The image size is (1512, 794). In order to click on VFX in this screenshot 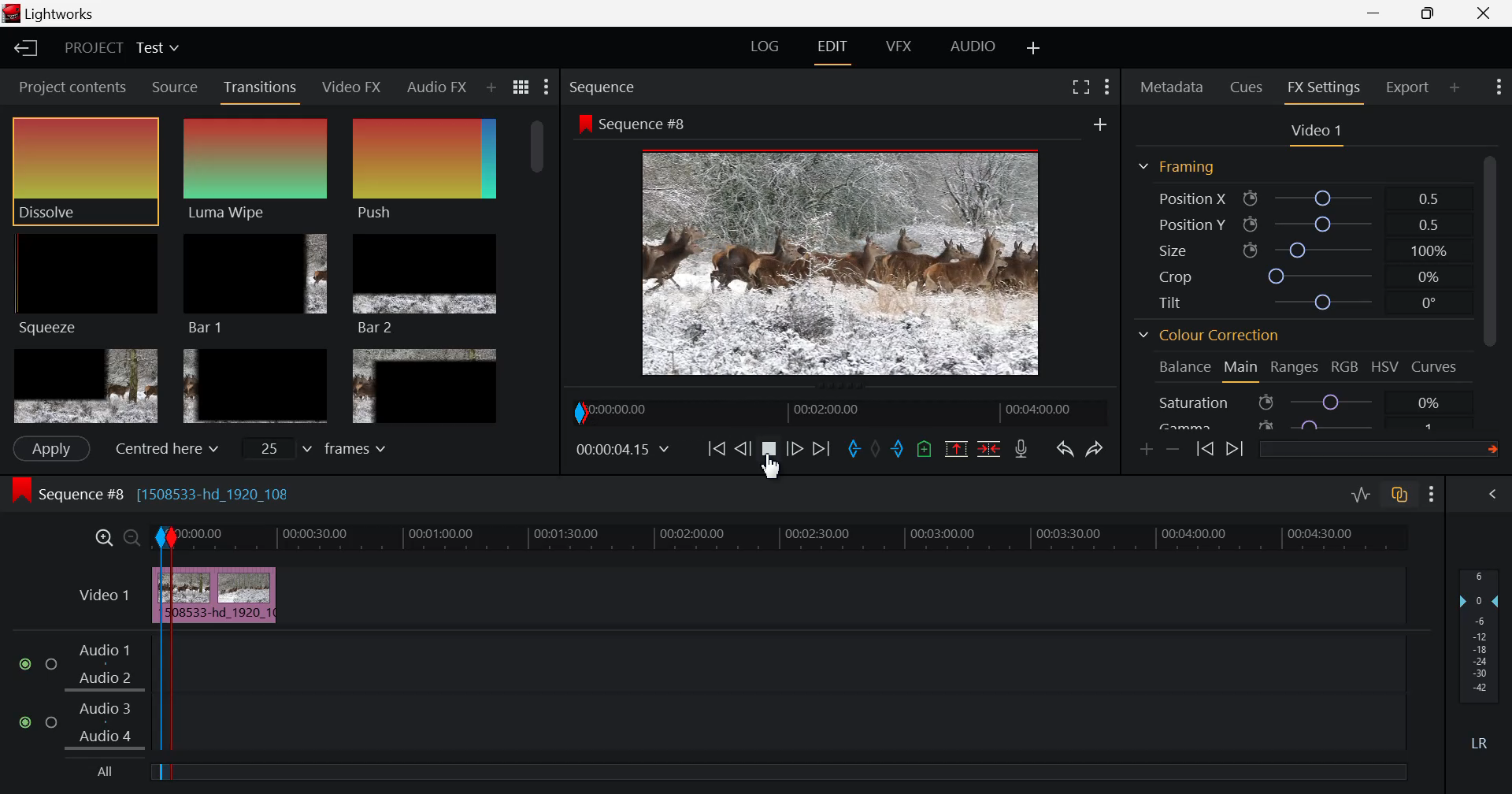, I will do `click(899, 46)`.